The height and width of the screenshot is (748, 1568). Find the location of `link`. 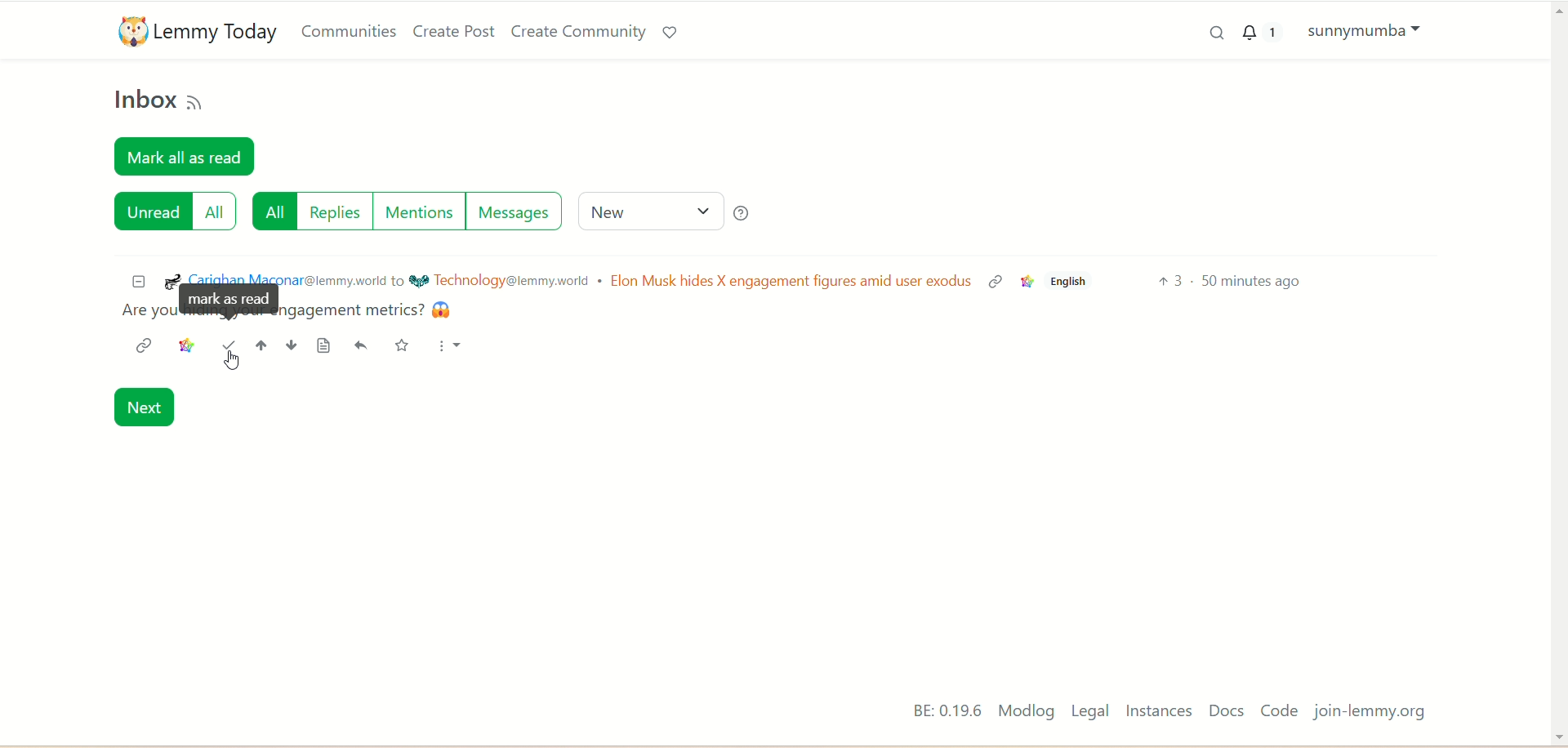

link is located at coordinates (145, 346).